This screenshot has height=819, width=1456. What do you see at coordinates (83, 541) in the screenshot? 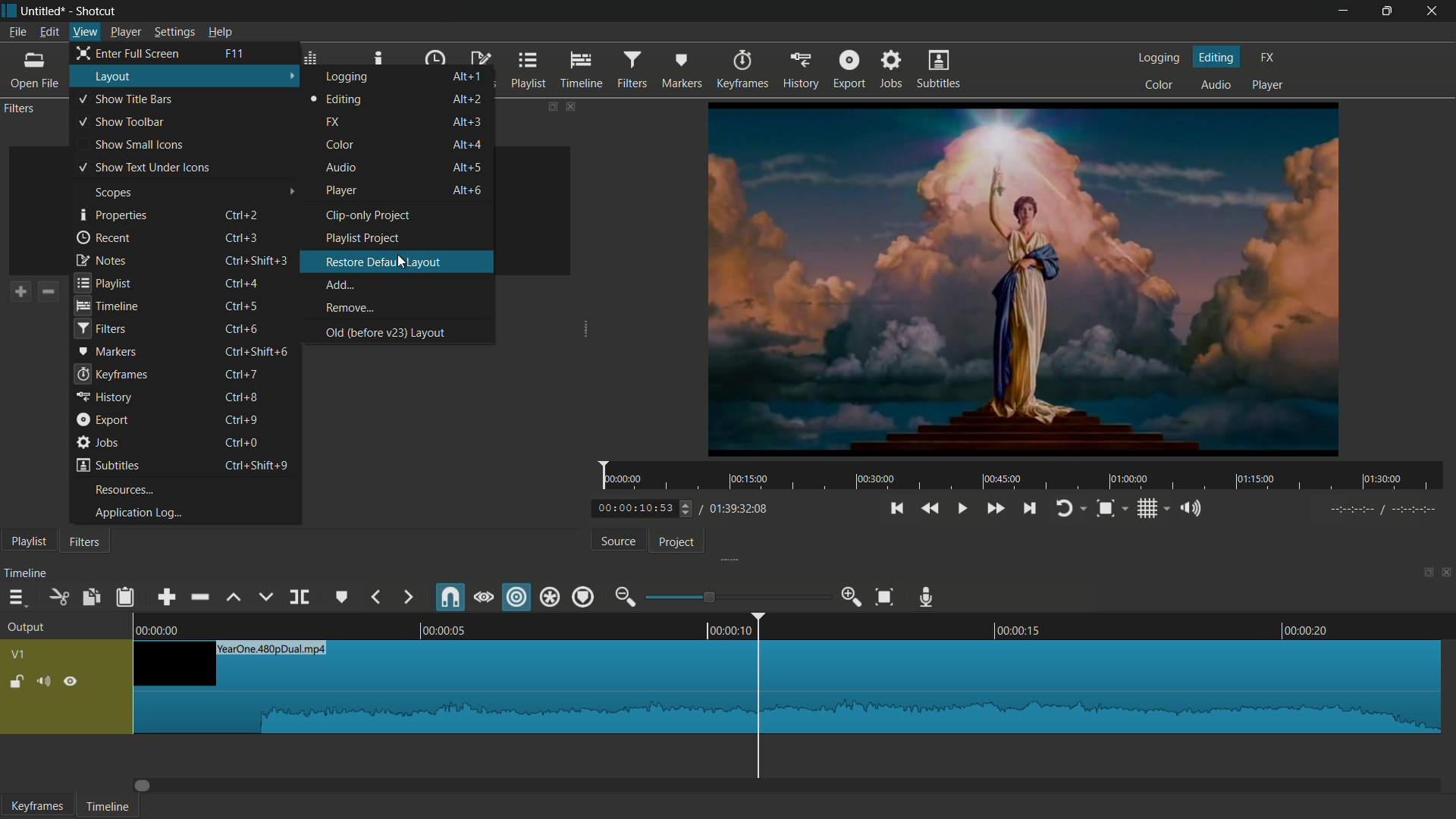
I see `filters` at bounding box center [83, 541].